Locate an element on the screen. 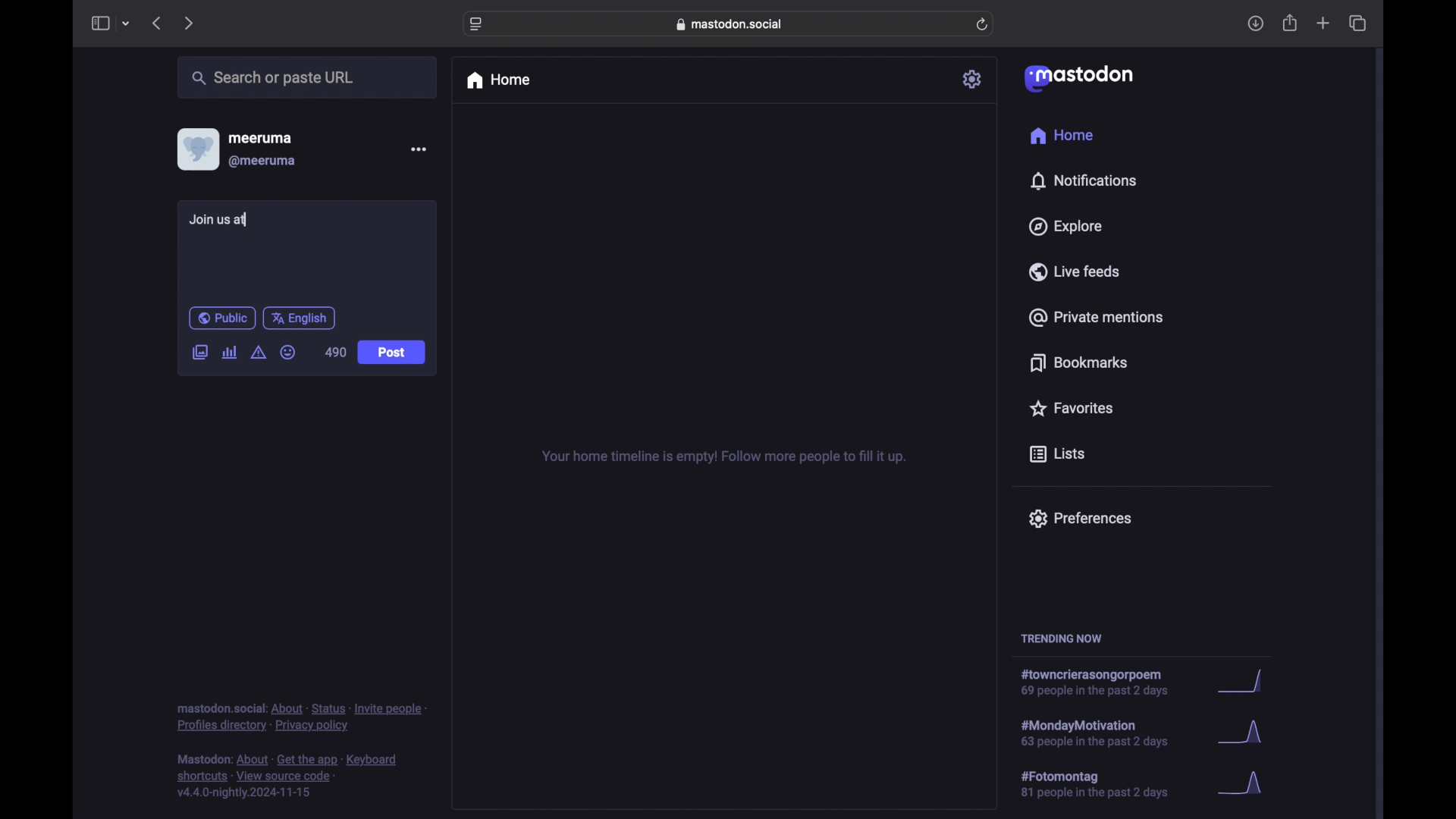  sidebar is located at coordinates (99, 23).